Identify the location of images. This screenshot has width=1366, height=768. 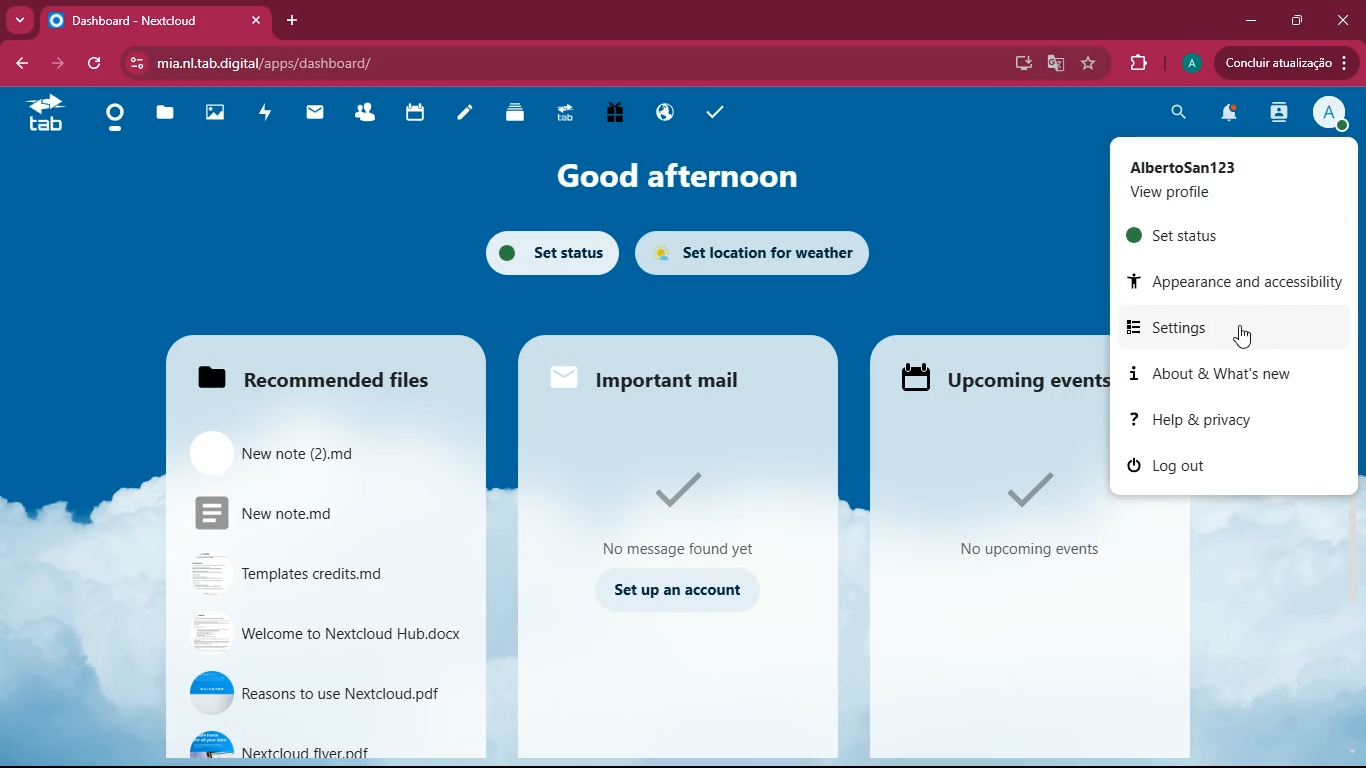
(217, 111).